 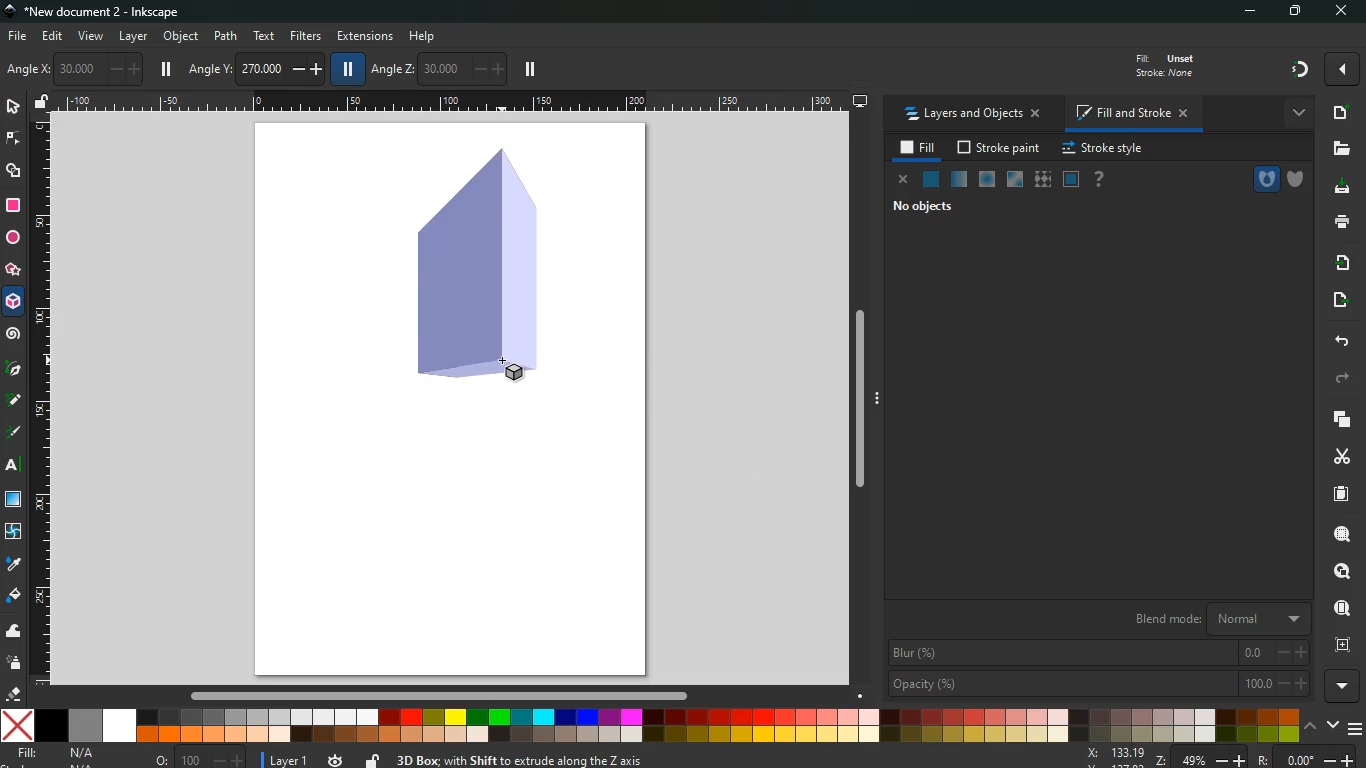 What do you see at coordinates (16, 696) in the screenshot?
I see `eraser` at bounding box center [16, 696].